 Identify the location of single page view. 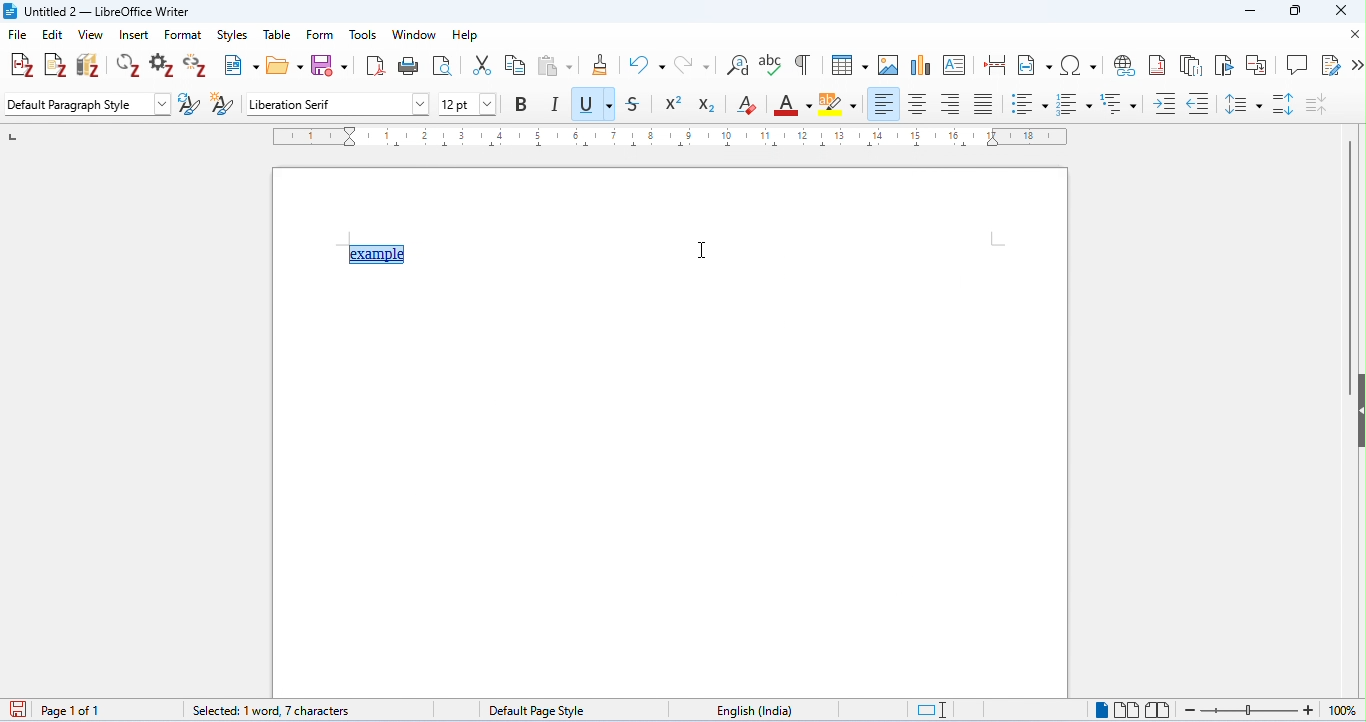
(1099, 710).